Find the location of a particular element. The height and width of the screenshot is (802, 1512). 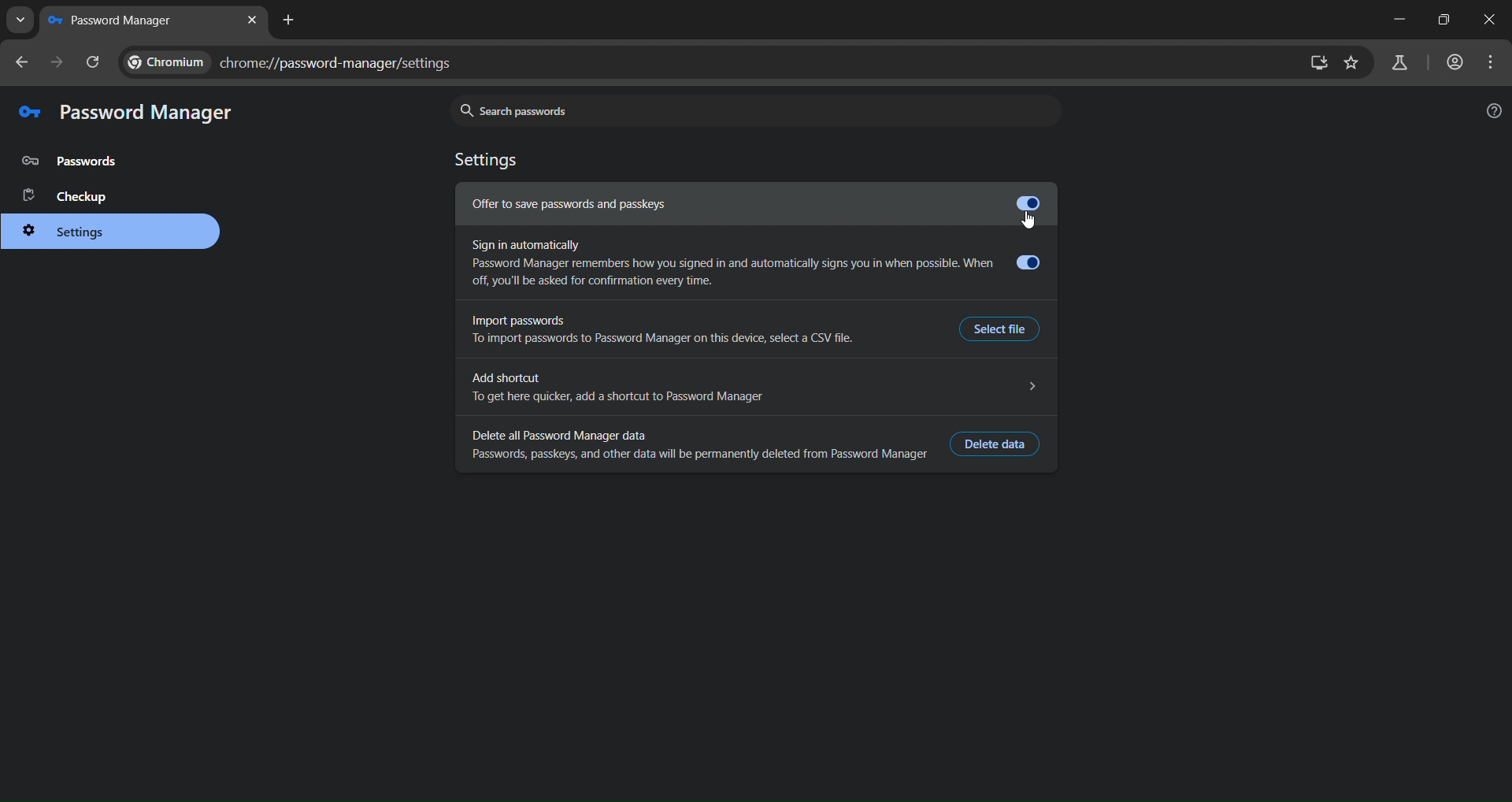

import passwords To import passwords to Password Manager on this device, select a CSV file is located at coordinates (686, 328).